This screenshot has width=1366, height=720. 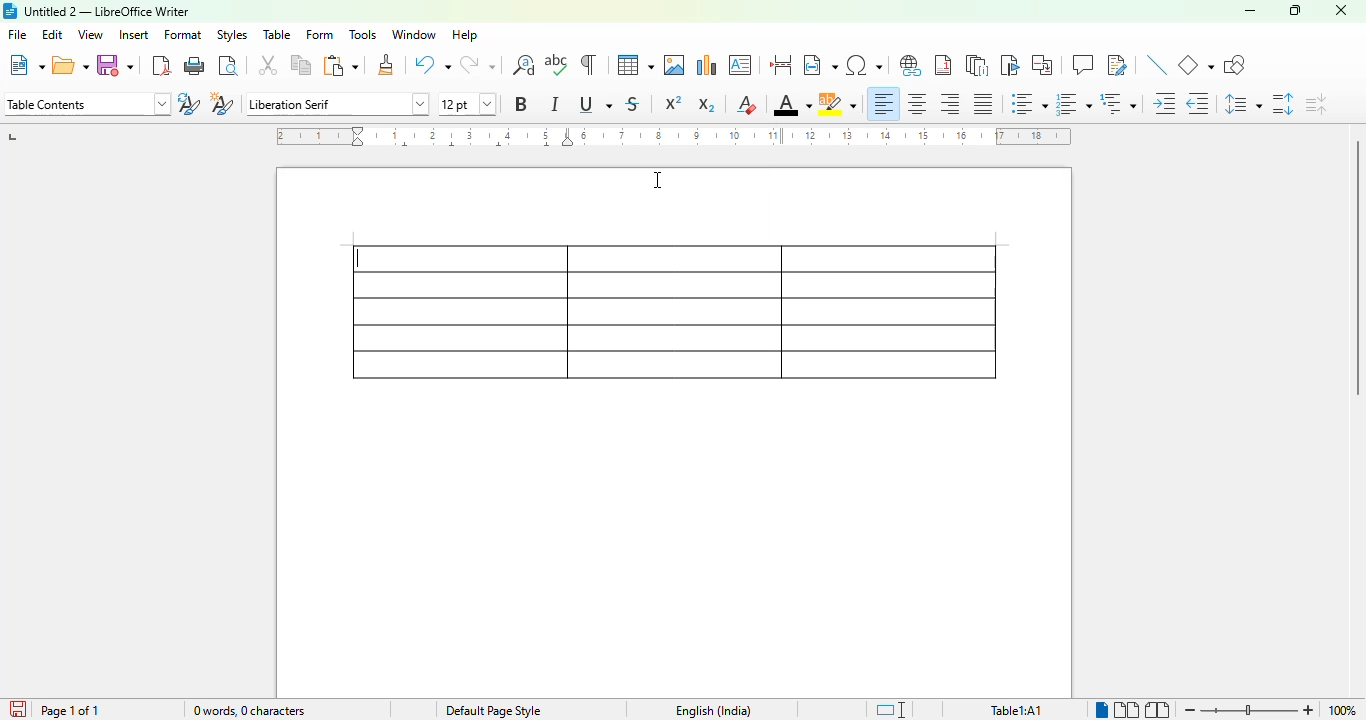 What do you see at coordinates (1191, 710) in the screenshot?
I see `zoom out` at bounding box center [1191, 710].